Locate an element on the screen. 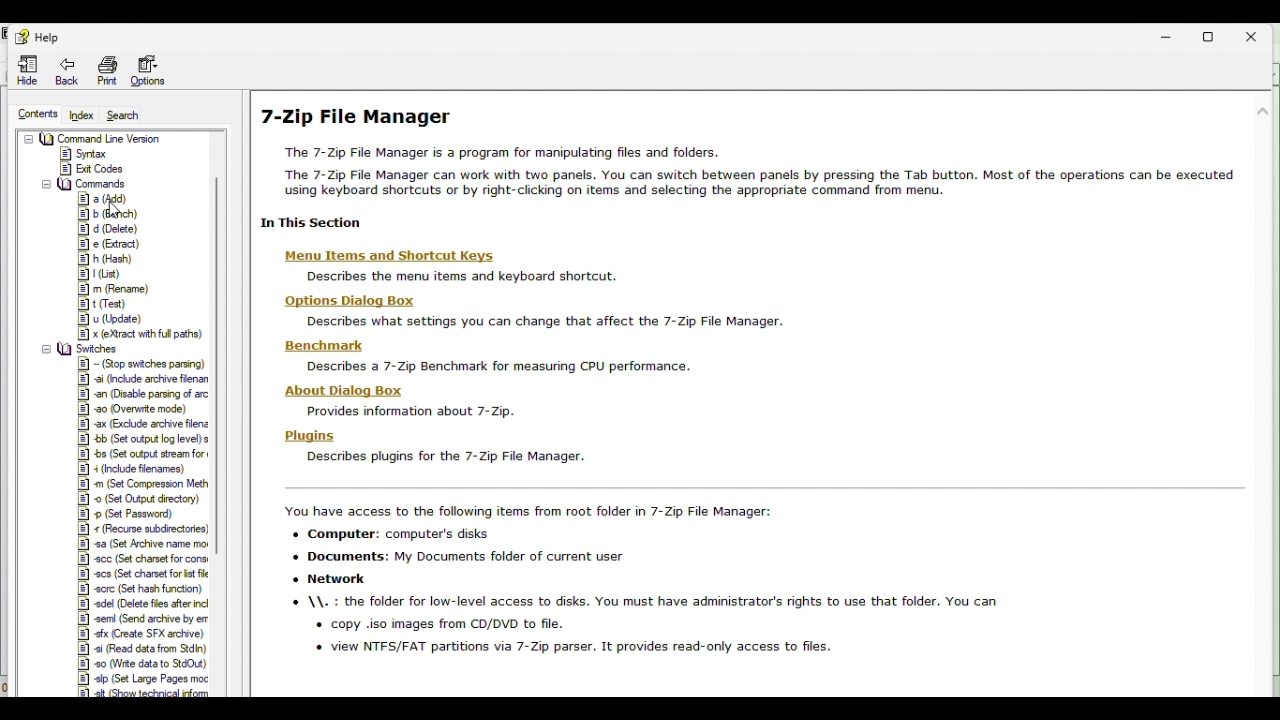 The width and height of the screenshot is (1280, 720). -scrc is located at coordinates (140, 589).